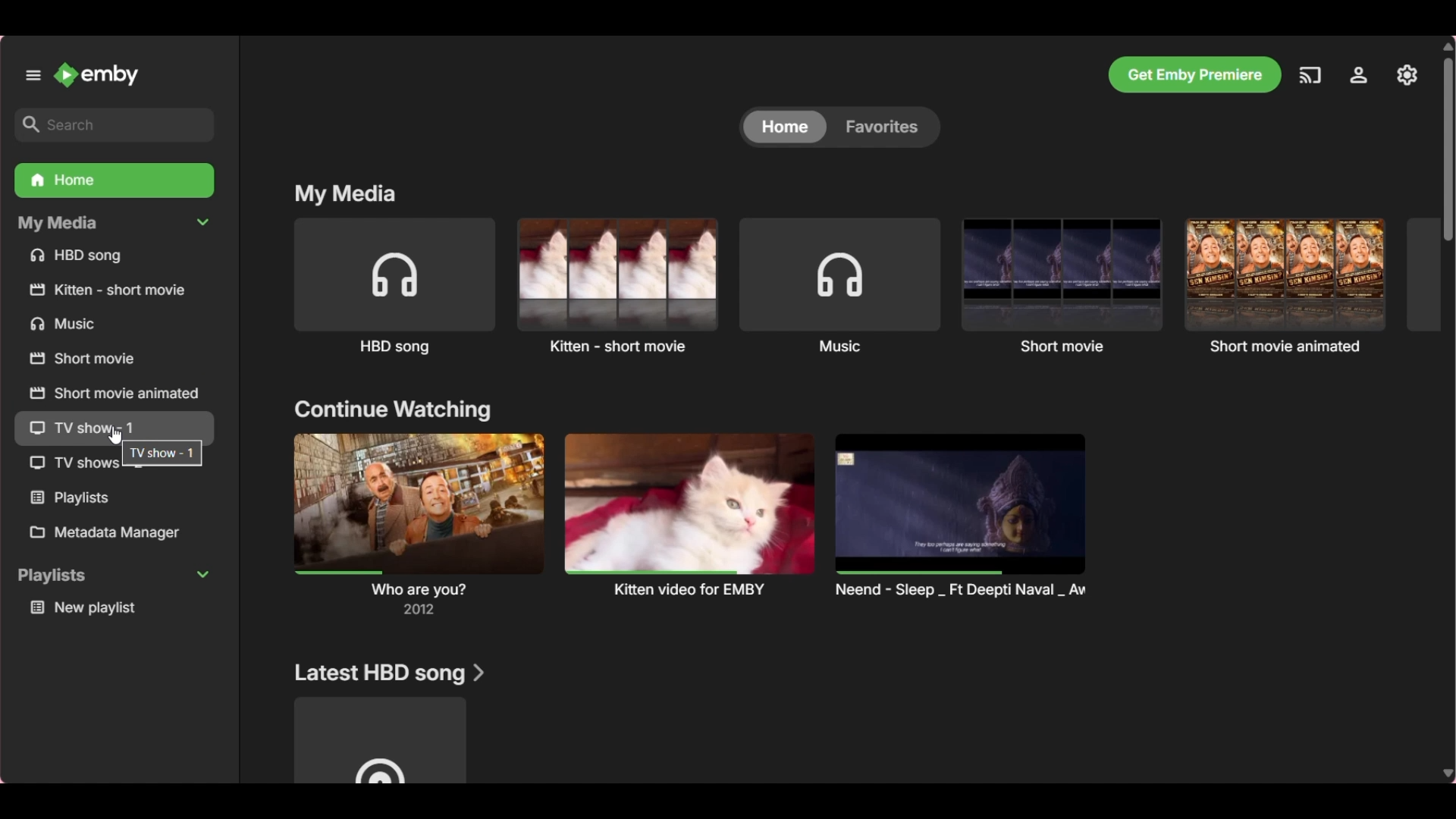 This screenshot has height=819, width=1456. I want to click on Description of current selection by cursor - TV show - 1, so click(162, 453).